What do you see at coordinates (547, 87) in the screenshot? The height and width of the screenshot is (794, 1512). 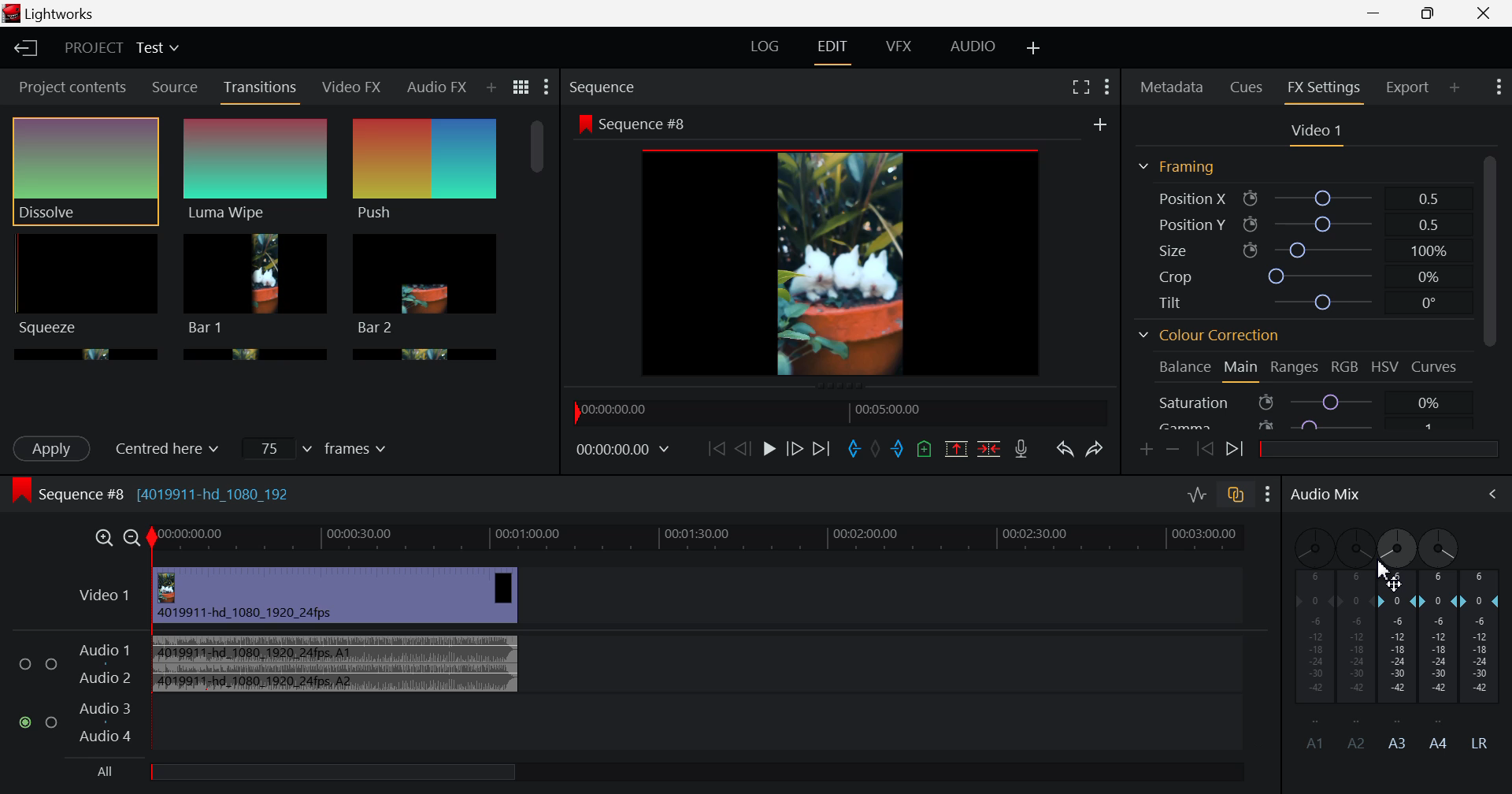 I see `Show Settings` at bounding box center [547, 87].